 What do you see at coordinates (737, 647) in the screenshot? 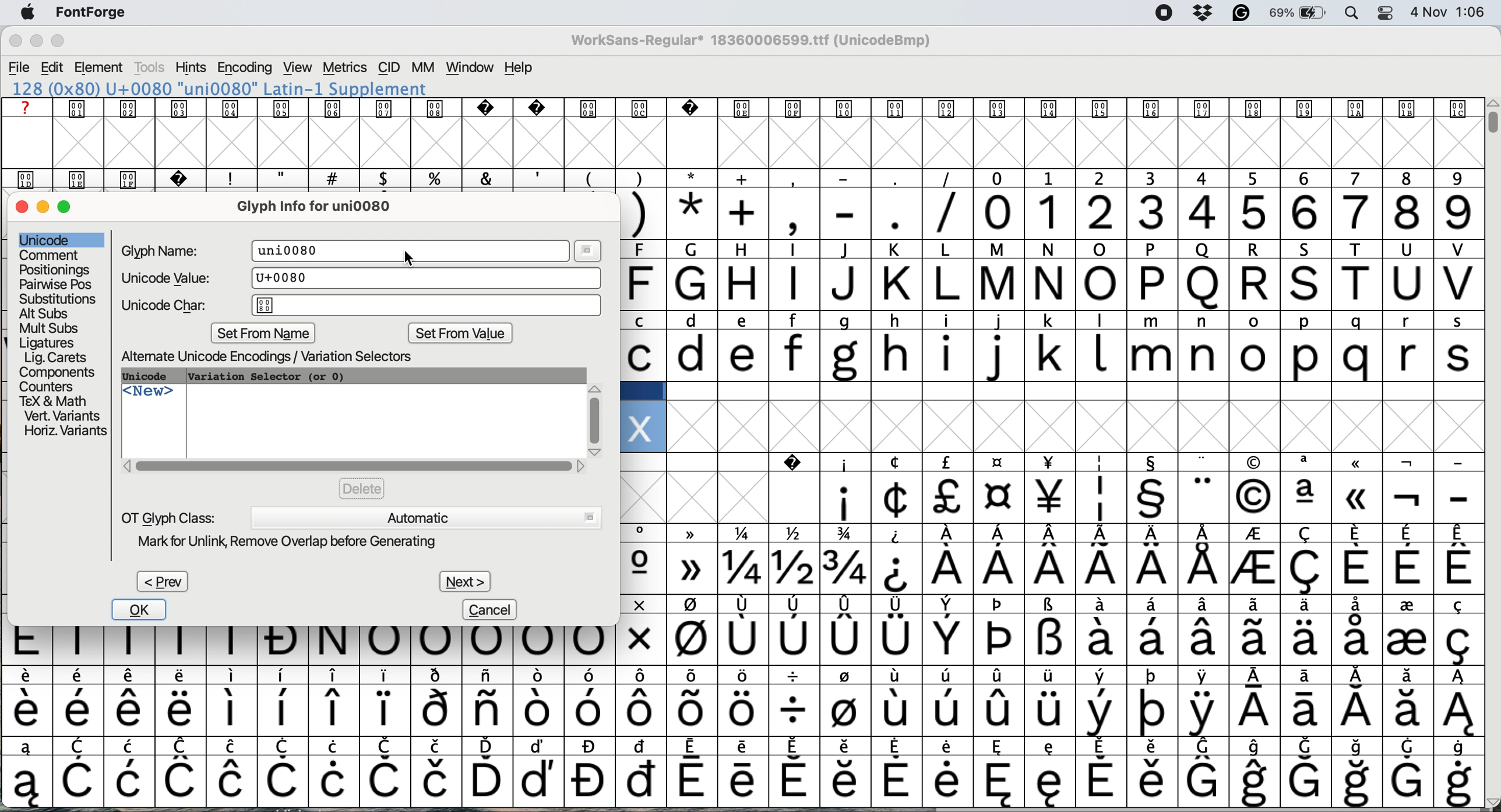
I see `special characters` at bounding box center [737, 647].